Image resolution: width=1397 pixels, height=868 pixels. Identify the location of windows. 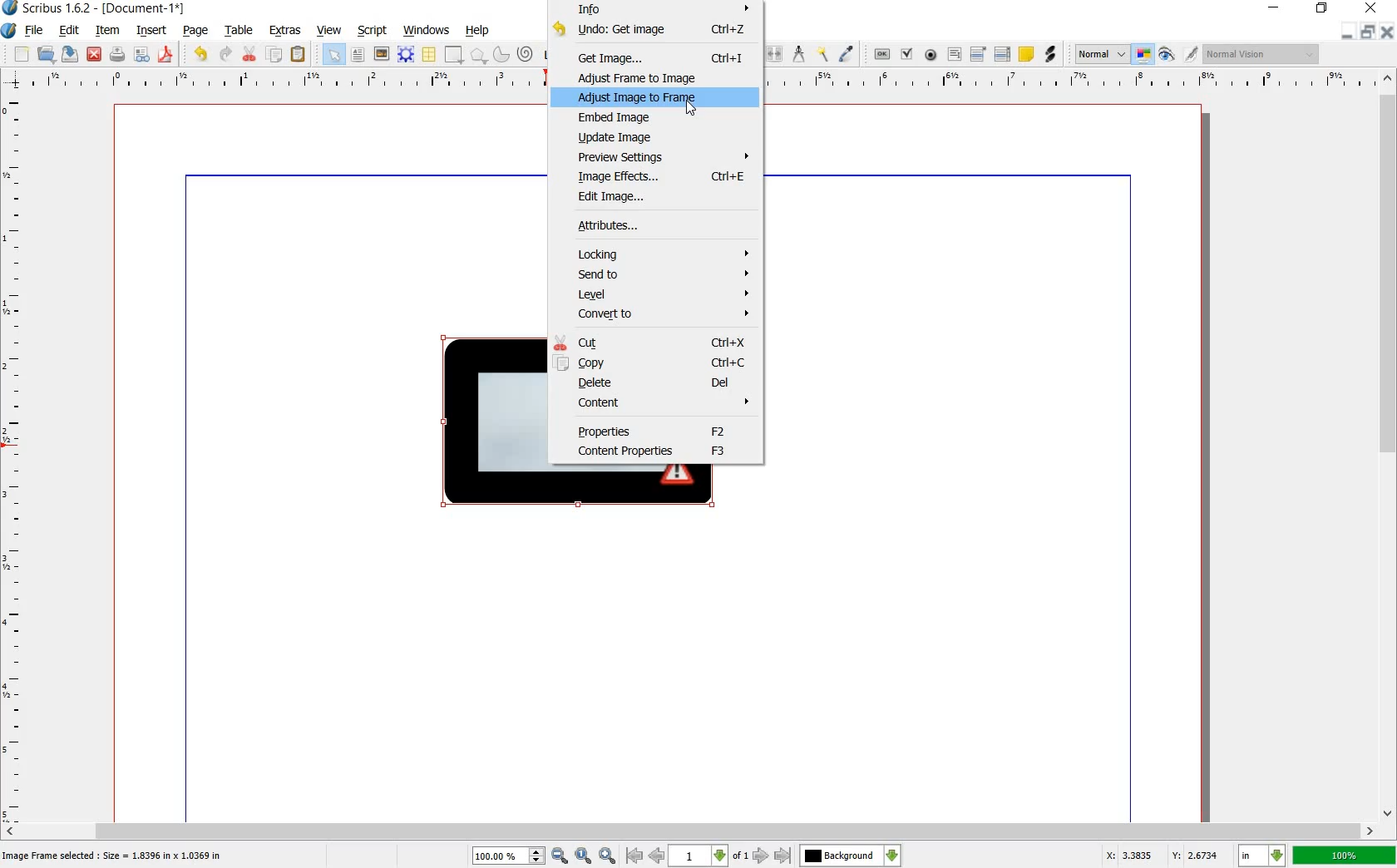
(425, 28).